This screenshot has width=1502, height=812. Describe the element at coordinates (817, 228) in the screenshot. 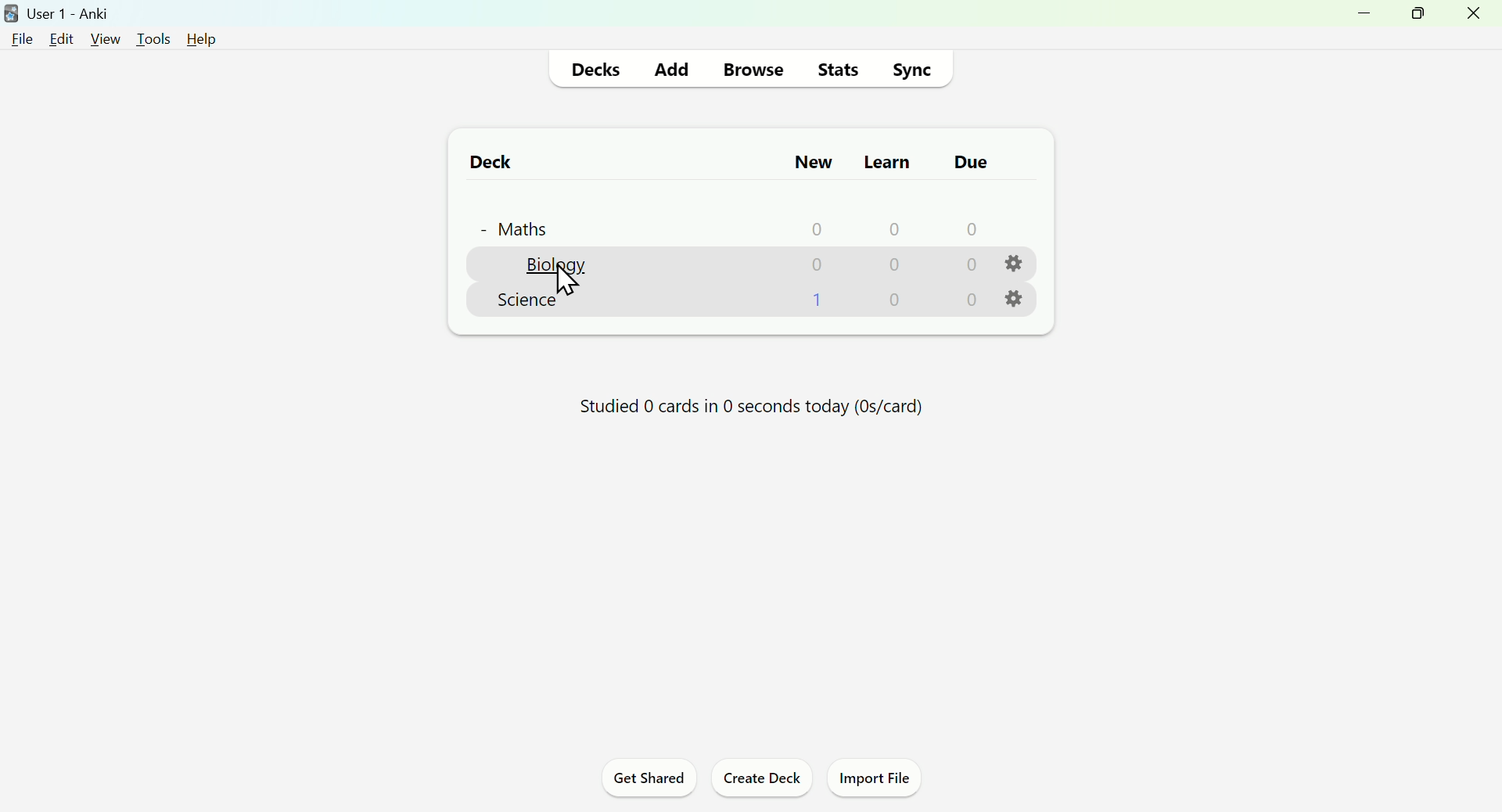

I see `0` at that location.